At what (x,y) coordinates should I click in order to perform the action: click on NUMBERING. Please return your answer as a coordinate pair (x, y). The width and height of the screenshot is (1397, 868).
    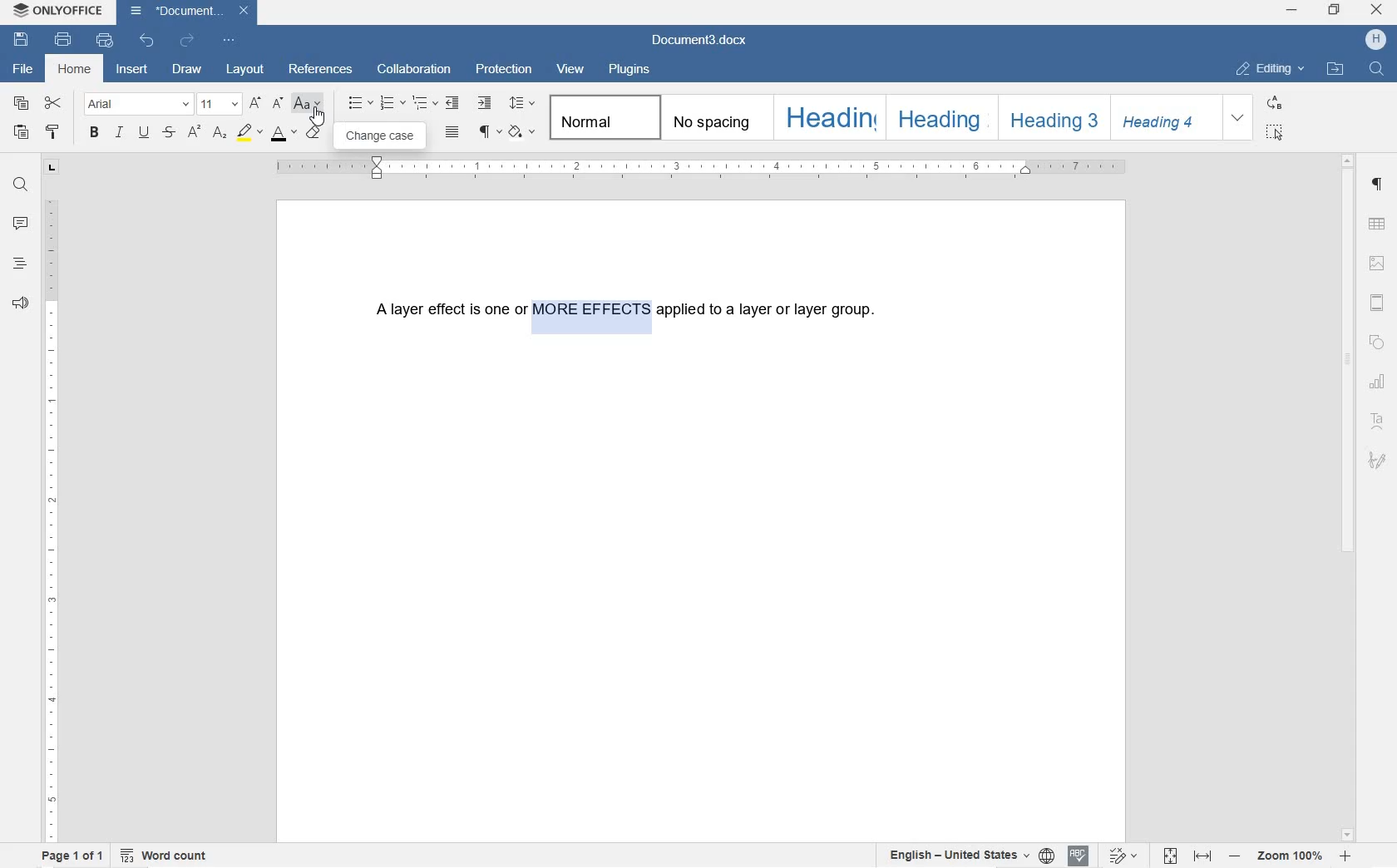
    Looking at the image, I should click on (393, 104).